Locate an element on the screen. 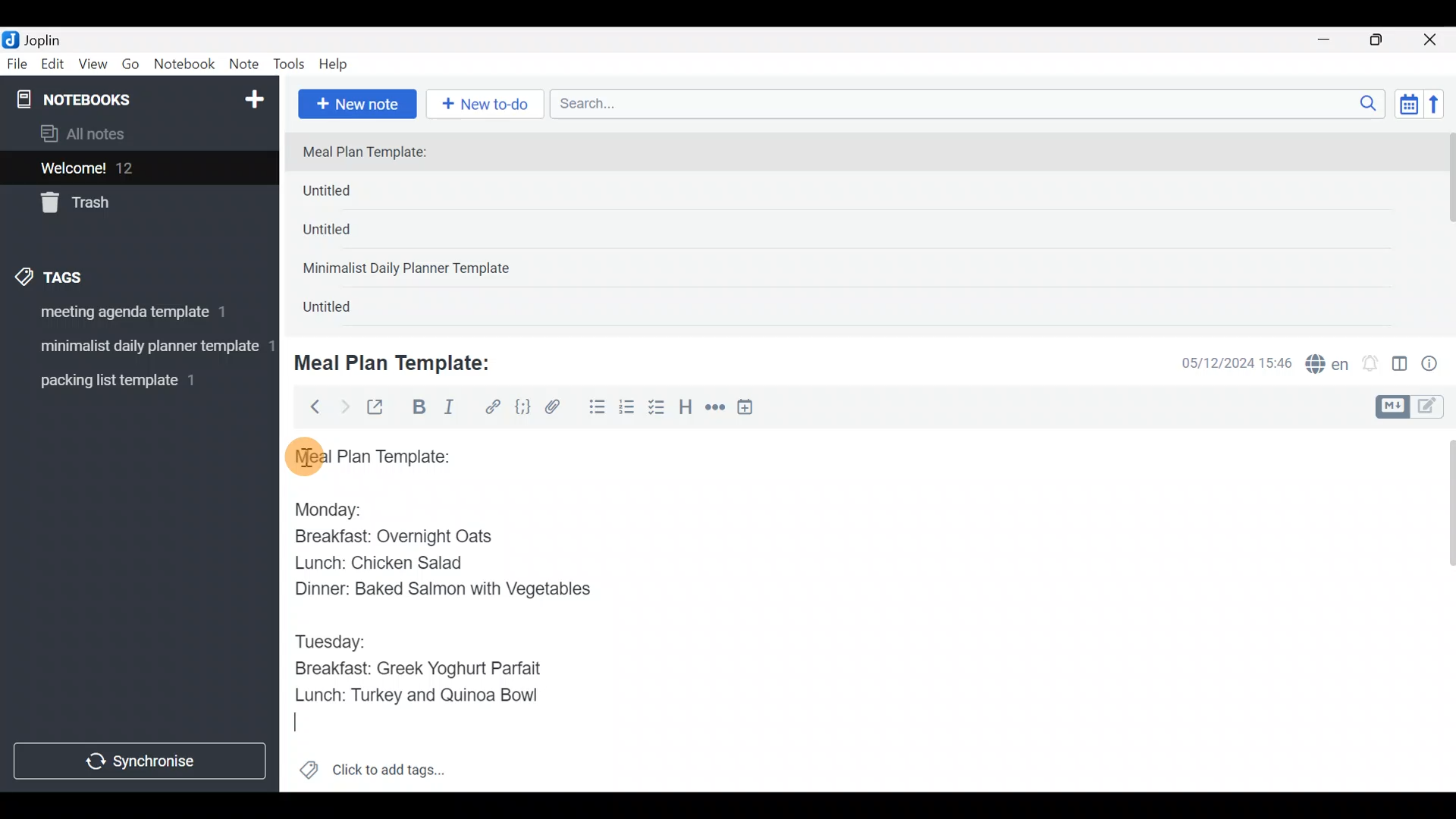 The image size is (1456, 819). Horizontal rule is located at coordinates (715, 409).